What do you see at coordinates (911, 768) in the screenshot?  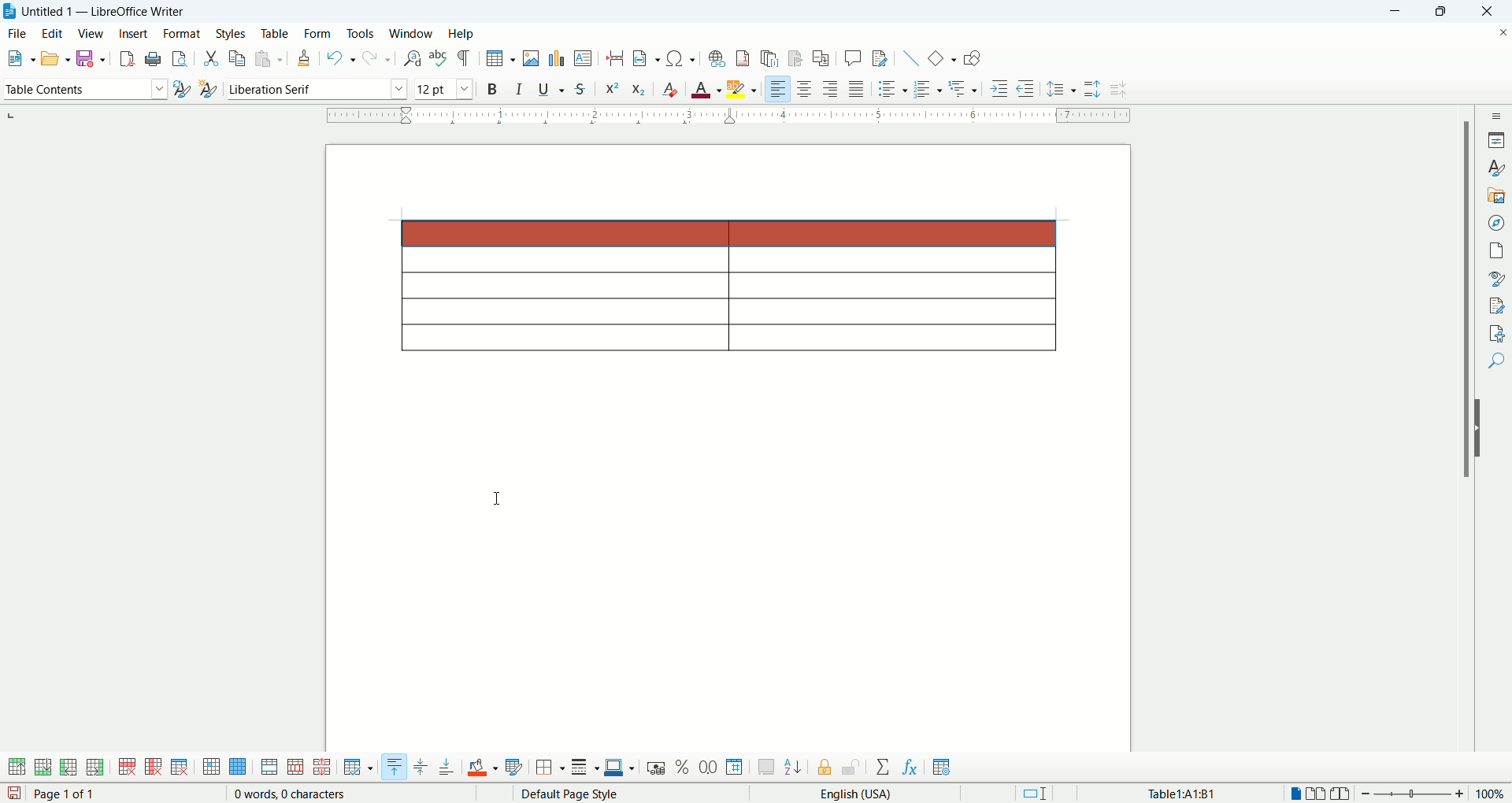 I see `insert formula` at bounding box center [911, 768].